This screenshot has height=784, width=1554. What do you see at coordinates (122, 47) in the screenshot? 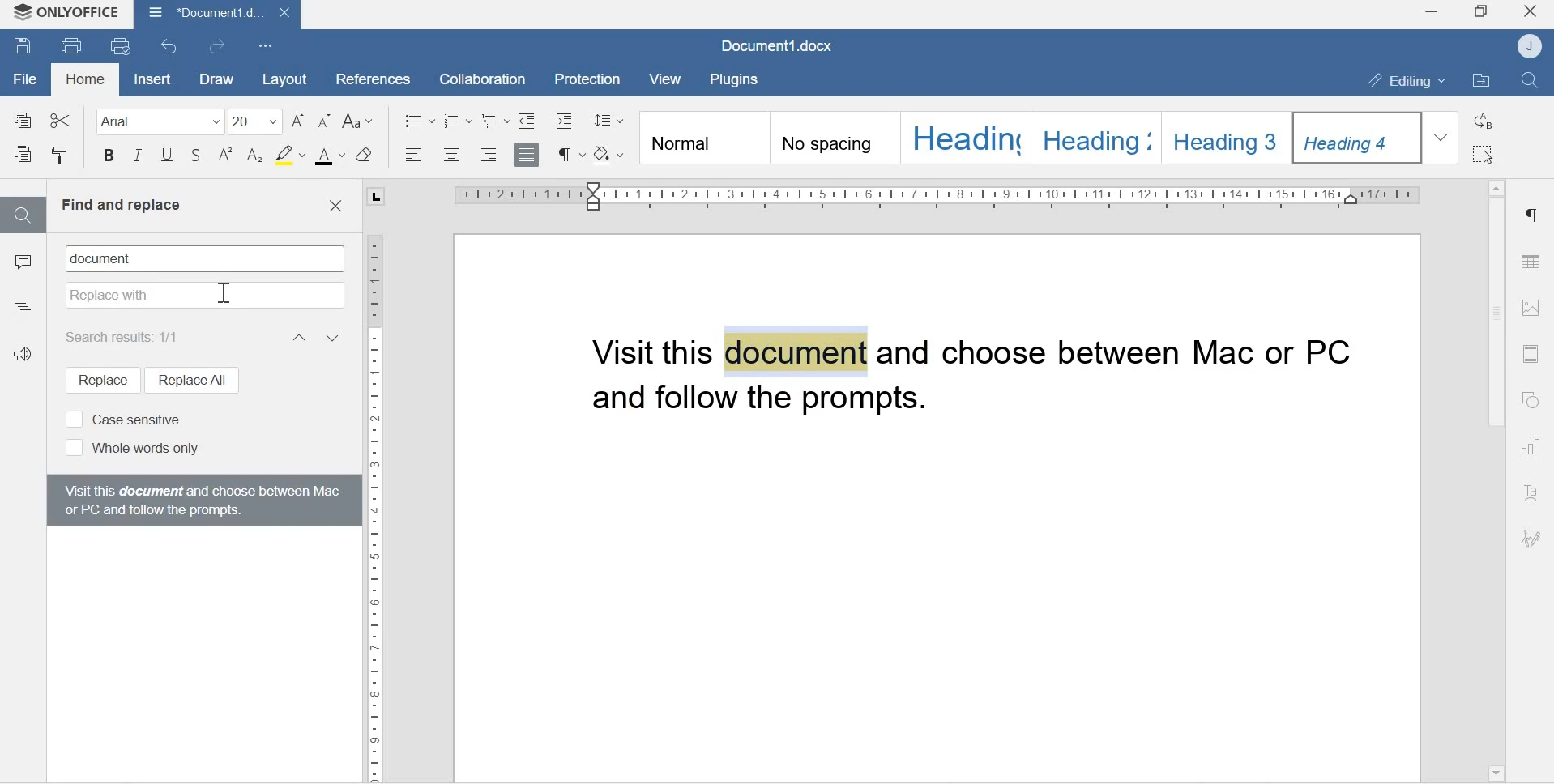
I see `Quick print` at bounding box center [122, 47].